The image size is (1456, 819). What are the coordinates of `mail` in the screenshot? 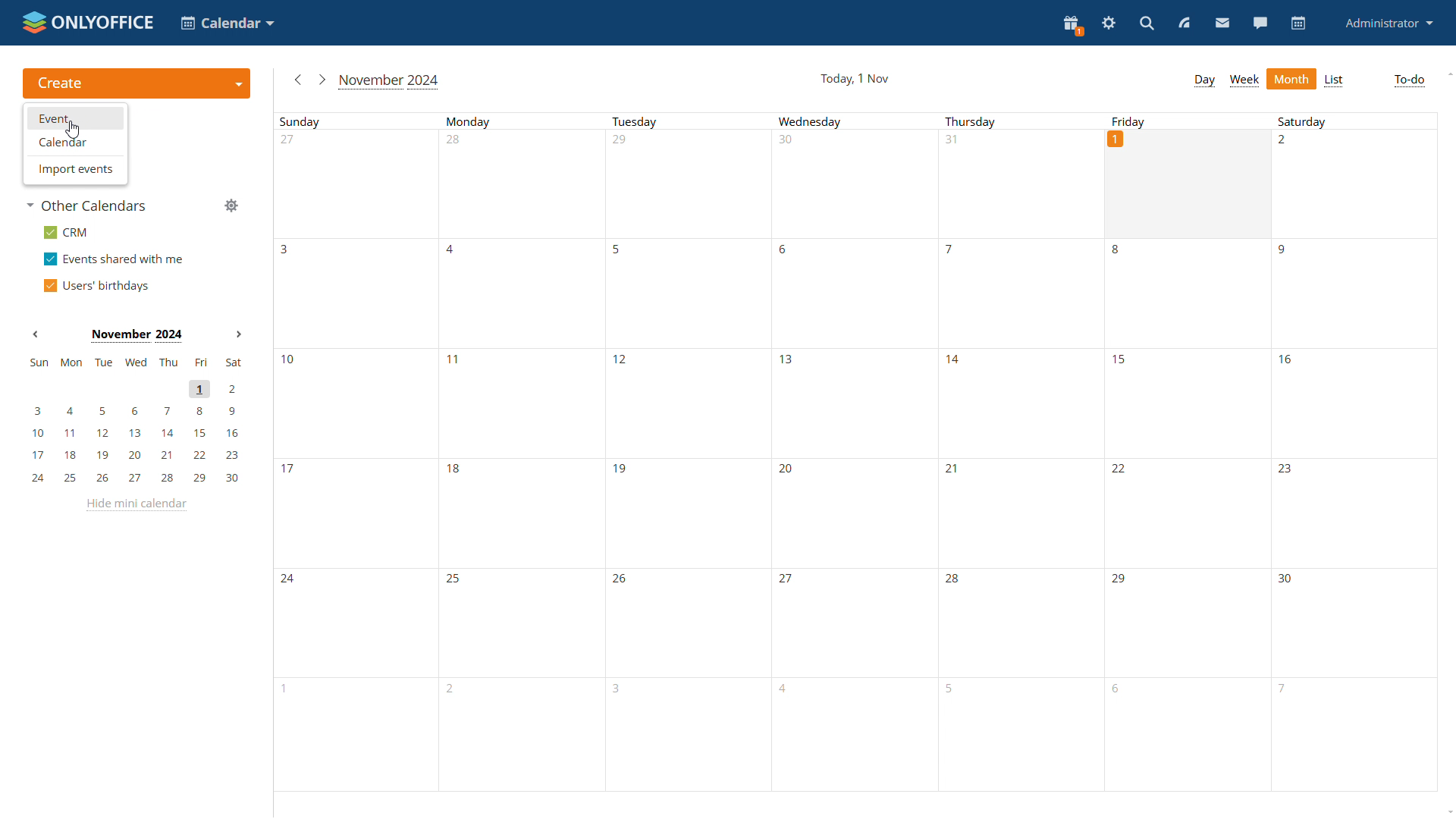 It's located at (1223, 24).